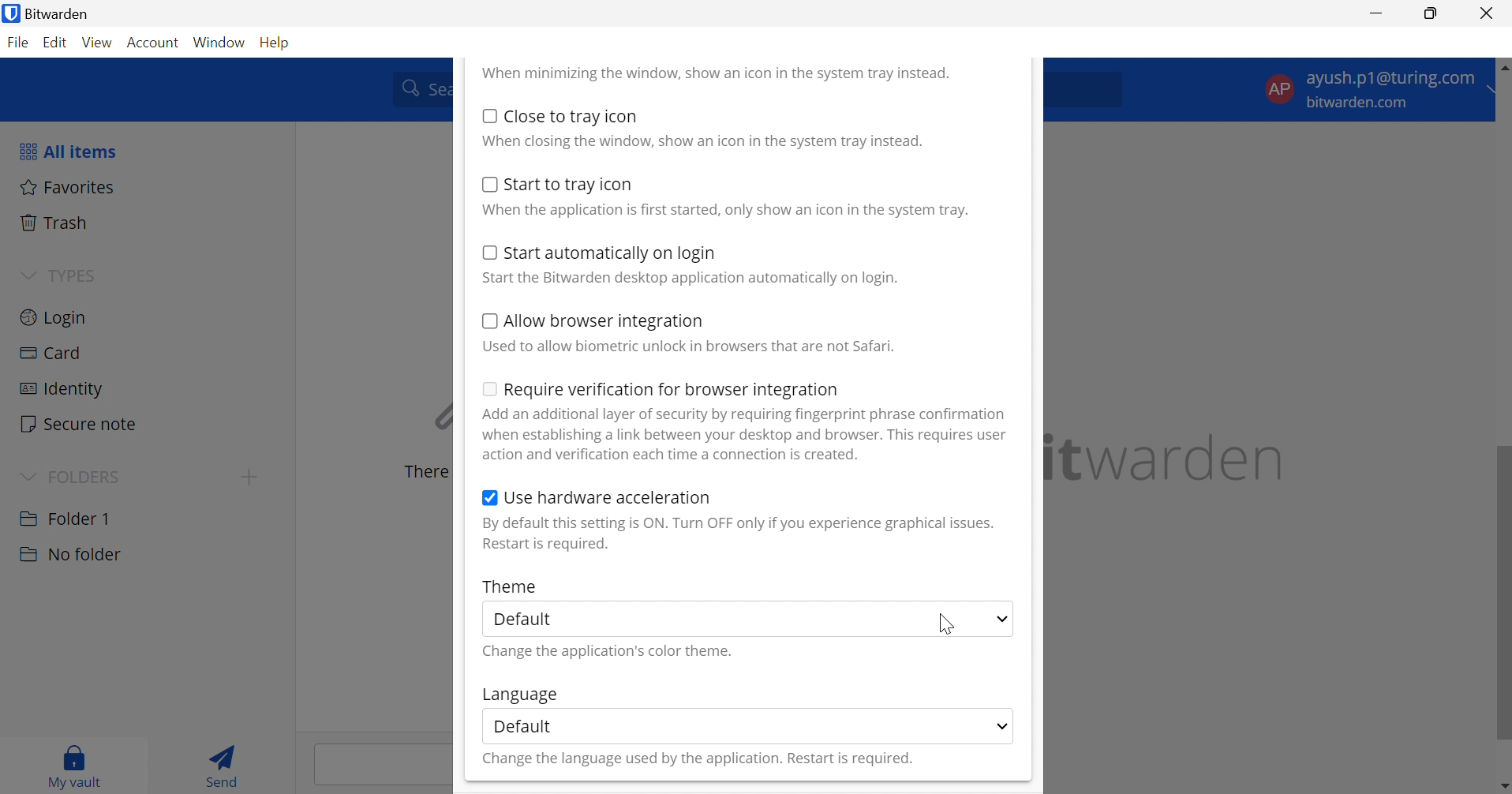 The image size is (1512, 794). I want to click on bitwarden logo, so click(9, 15).